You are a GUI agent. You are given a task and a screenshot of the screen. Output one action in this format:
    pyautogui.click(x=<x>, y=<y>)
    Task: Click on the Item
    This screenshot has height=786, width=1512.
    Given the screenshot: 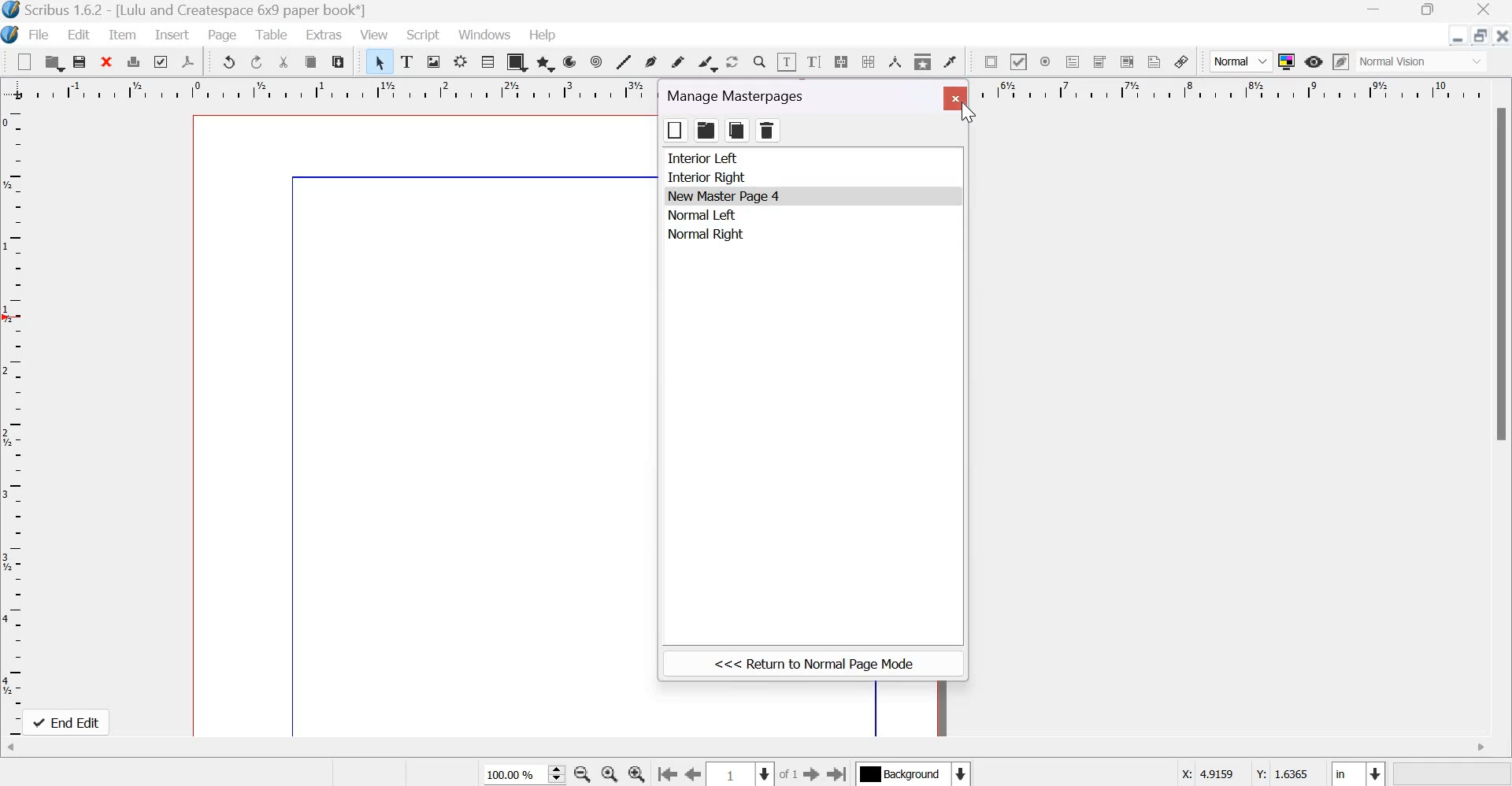 What is the action you would take?
    pyautogui.click(x=124, y=34)
    